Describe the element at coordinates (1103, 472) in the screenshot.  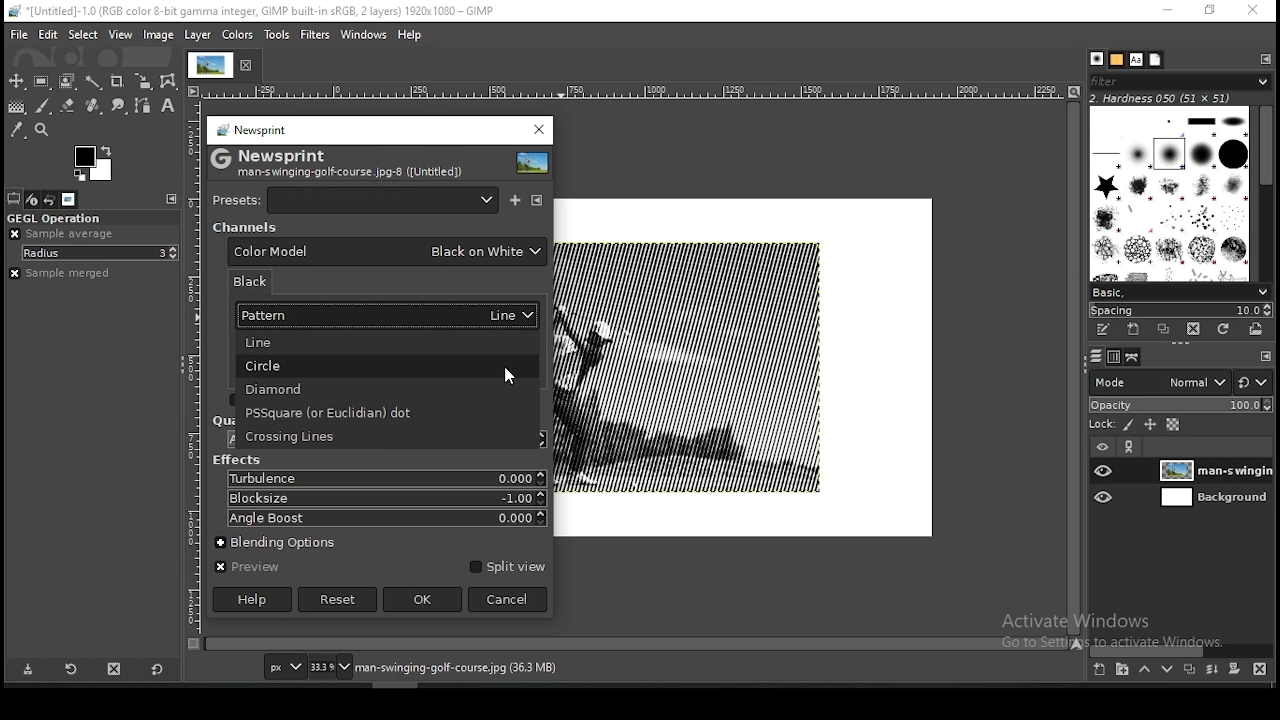
I see `layer visibility on/off` at that location.